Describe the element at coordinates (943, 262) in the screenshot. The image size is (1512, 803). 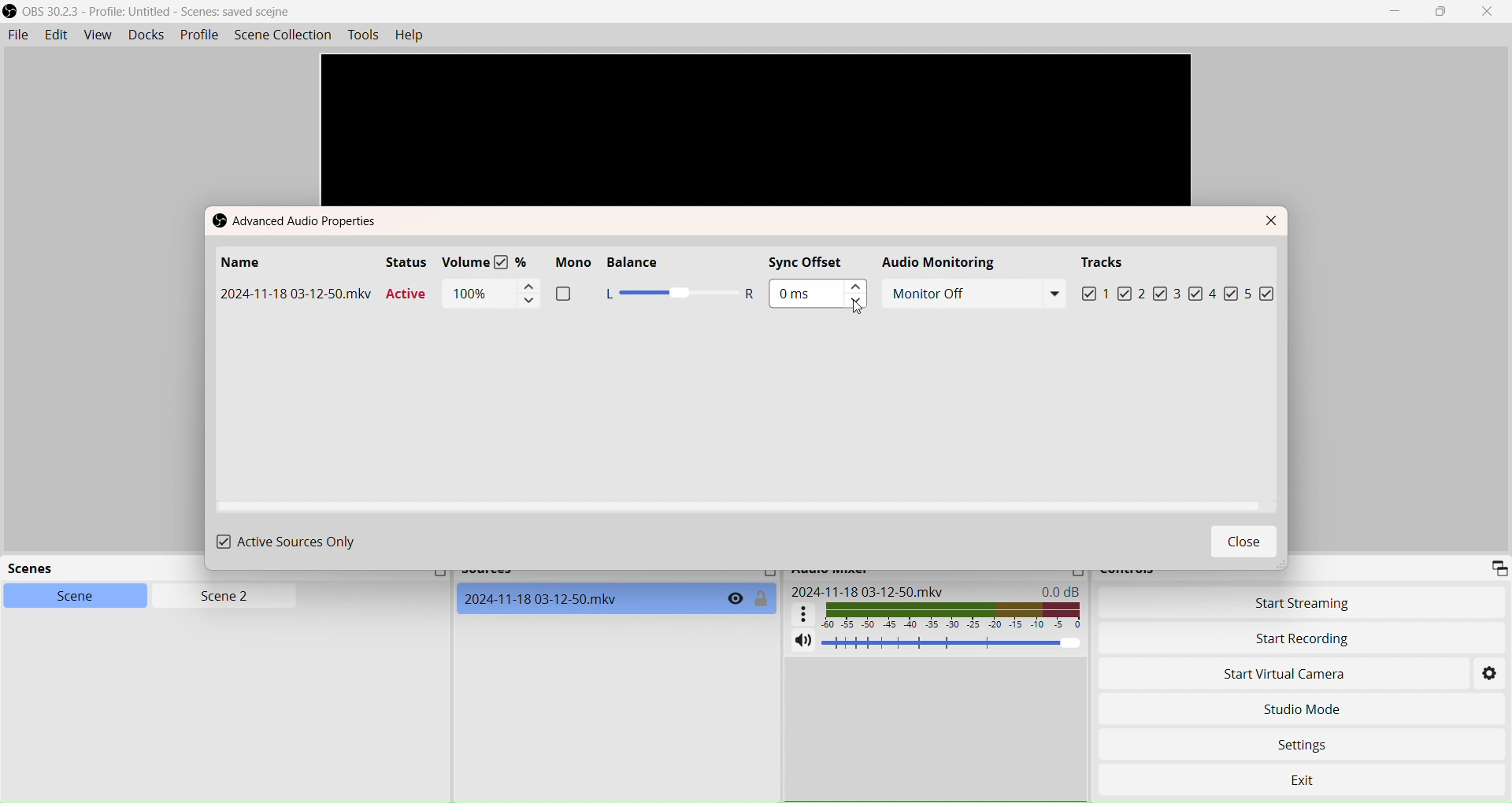
I see `Audio Monitoring` at that location.